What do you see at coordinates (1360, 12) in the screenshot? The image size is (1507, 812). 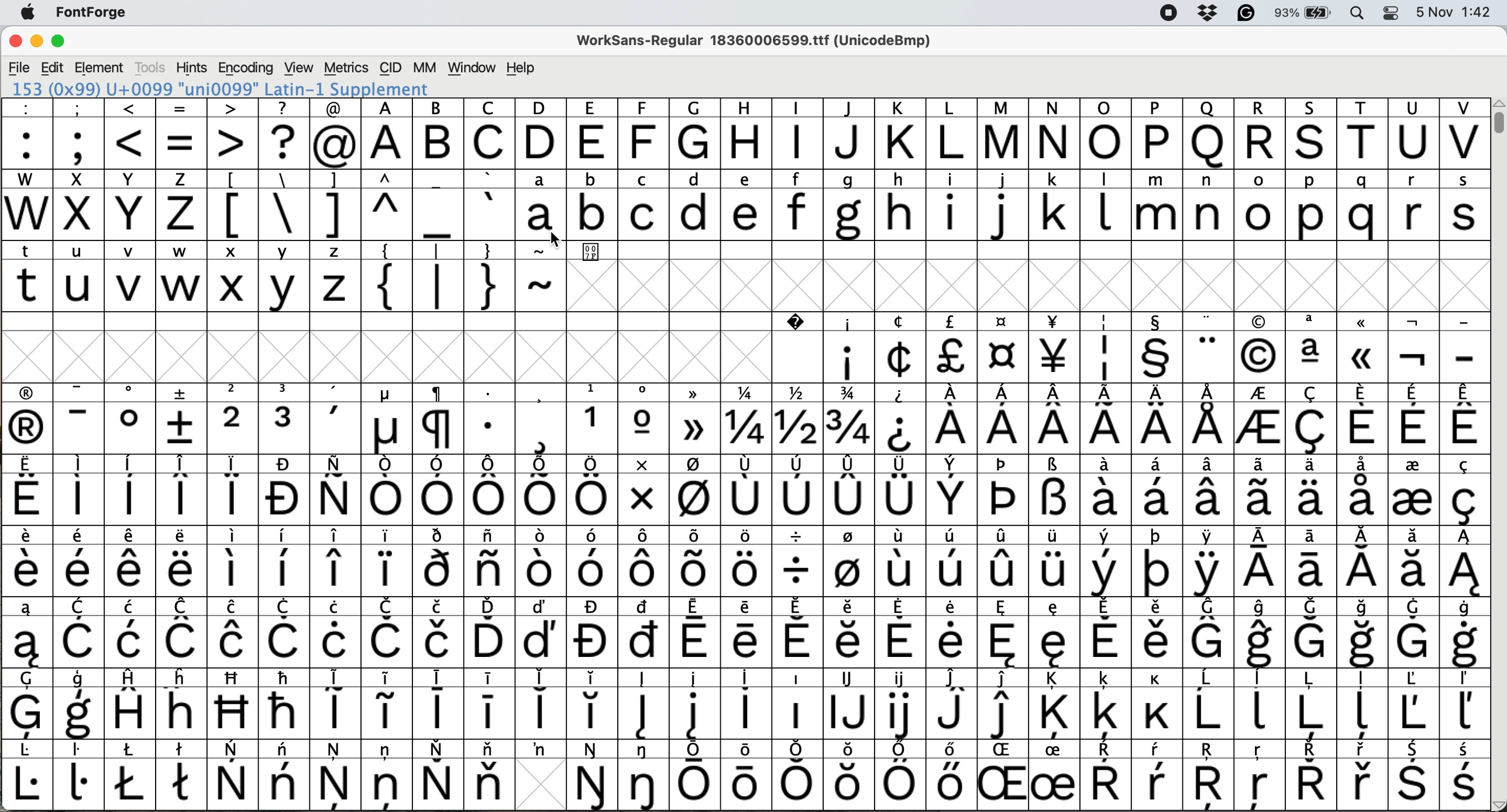 I see `spotlight search` at bounding box center [1360, 12].